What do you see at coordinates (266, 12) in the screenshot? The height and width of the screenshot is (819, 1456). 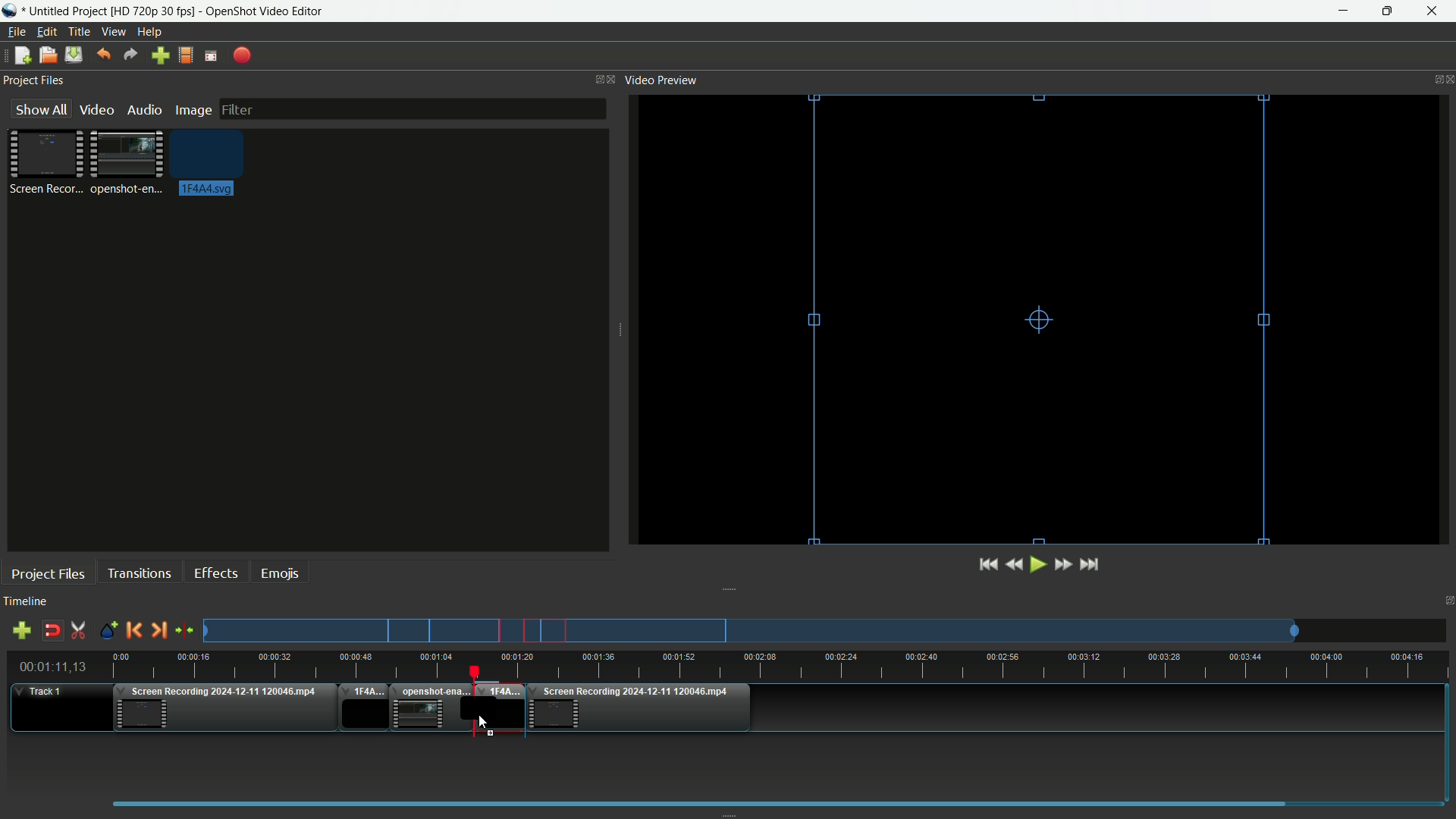 I see `App name` at bounding box center [266, 12].